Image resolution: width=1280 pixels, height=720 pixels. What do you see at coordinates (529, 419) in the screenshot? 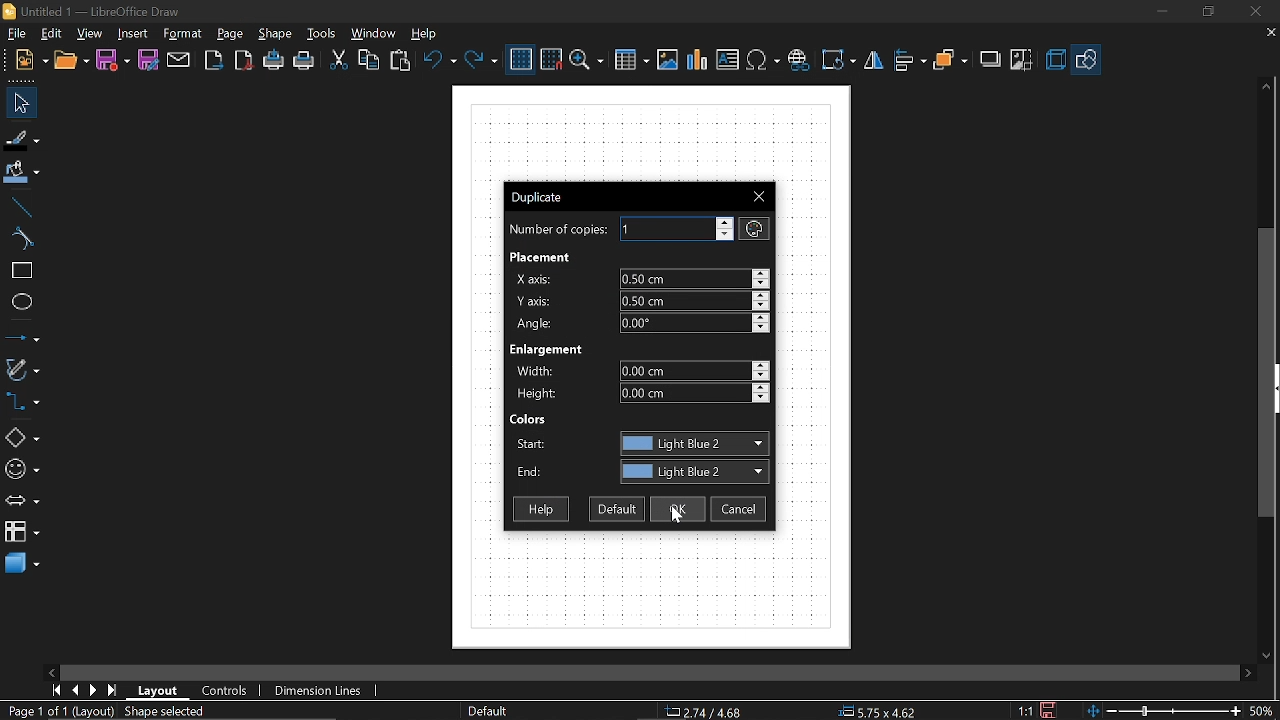
I see `Colors` at bounding box center [529, 419].